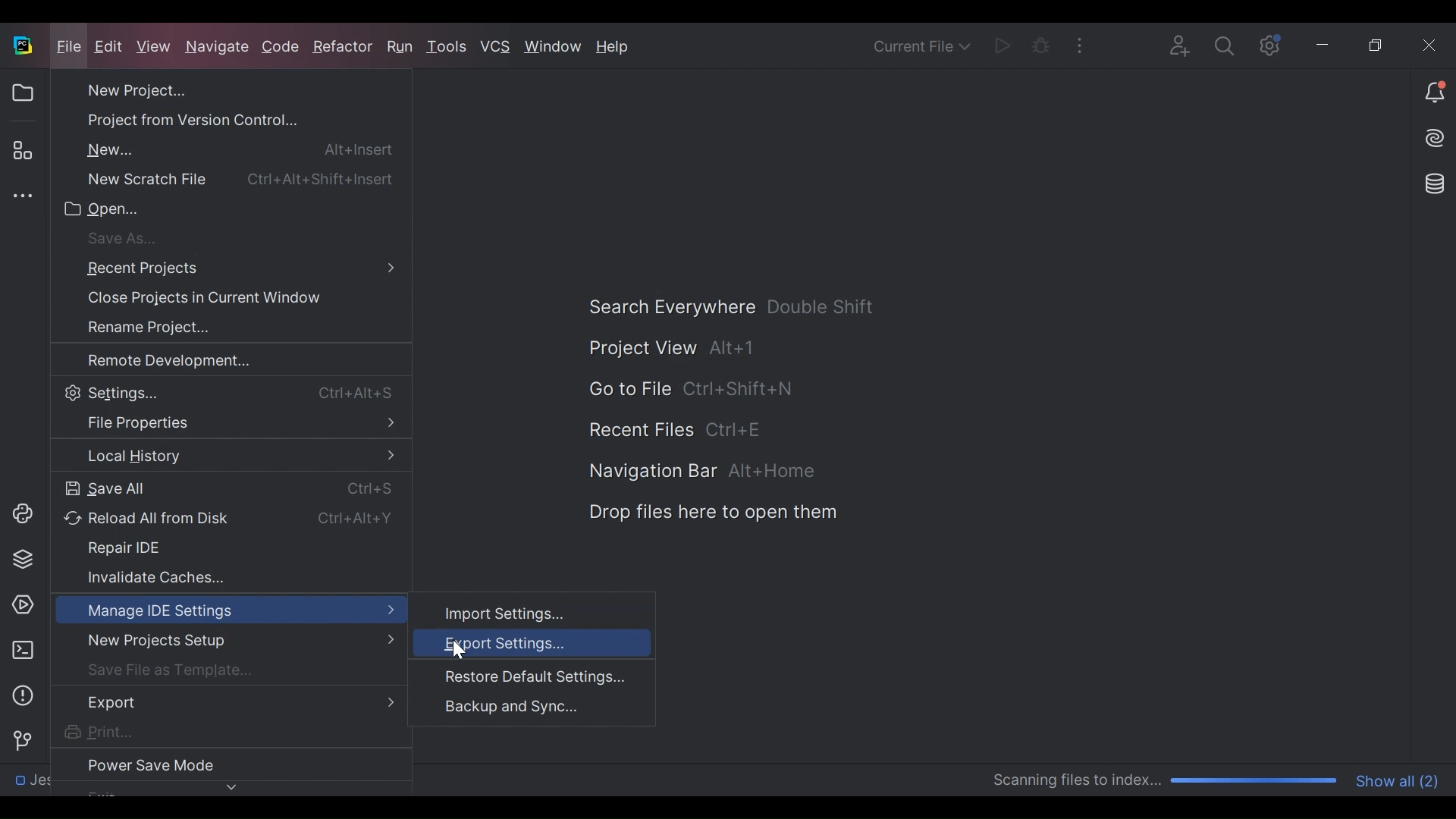  I want to click on Tools, so click(450, 48).